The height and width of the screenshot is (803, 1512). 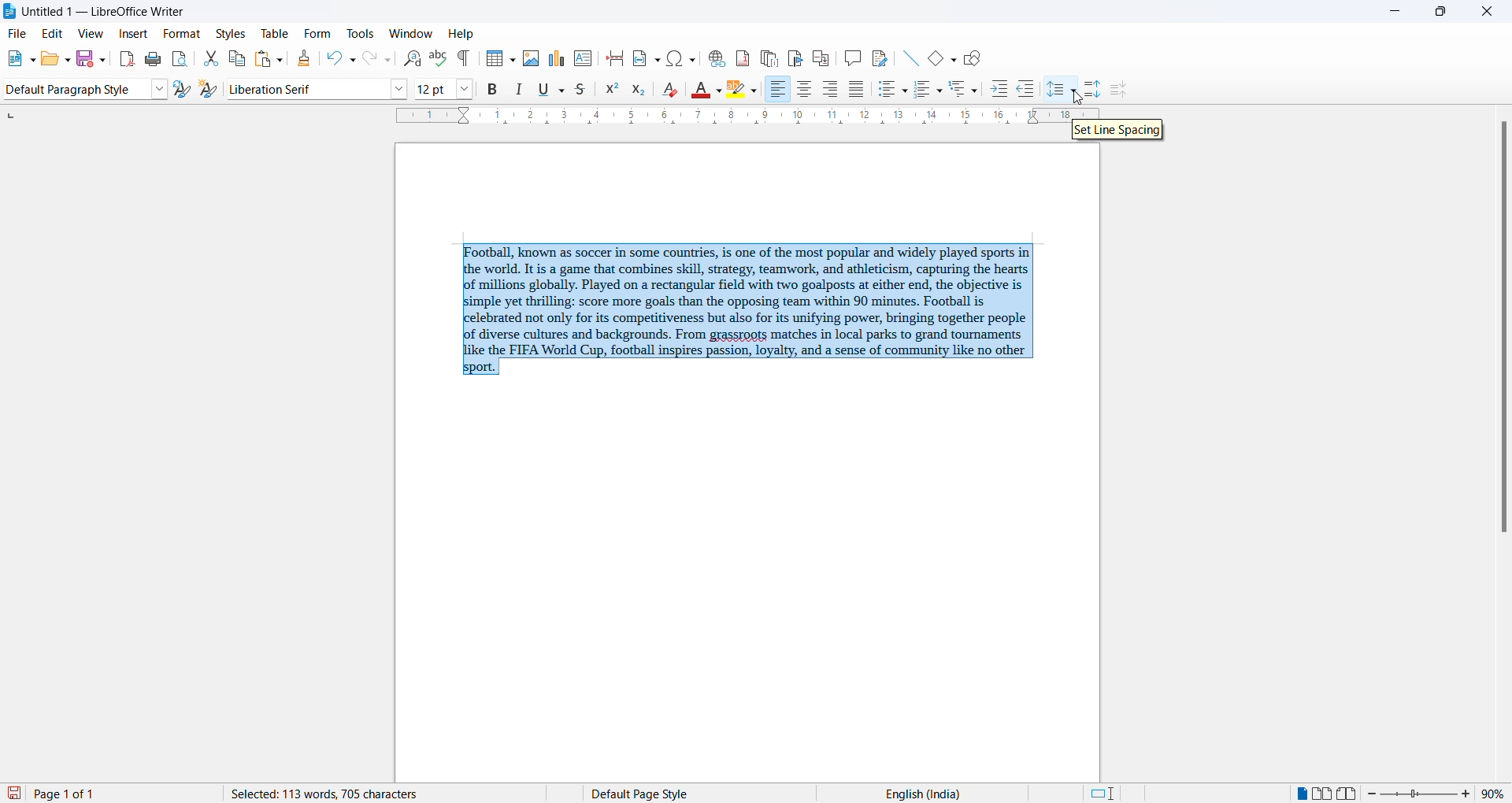 What do you see at coordinates (854, 58) in the screenshot?
I see `insert comments` at bounding box center [854, 58].